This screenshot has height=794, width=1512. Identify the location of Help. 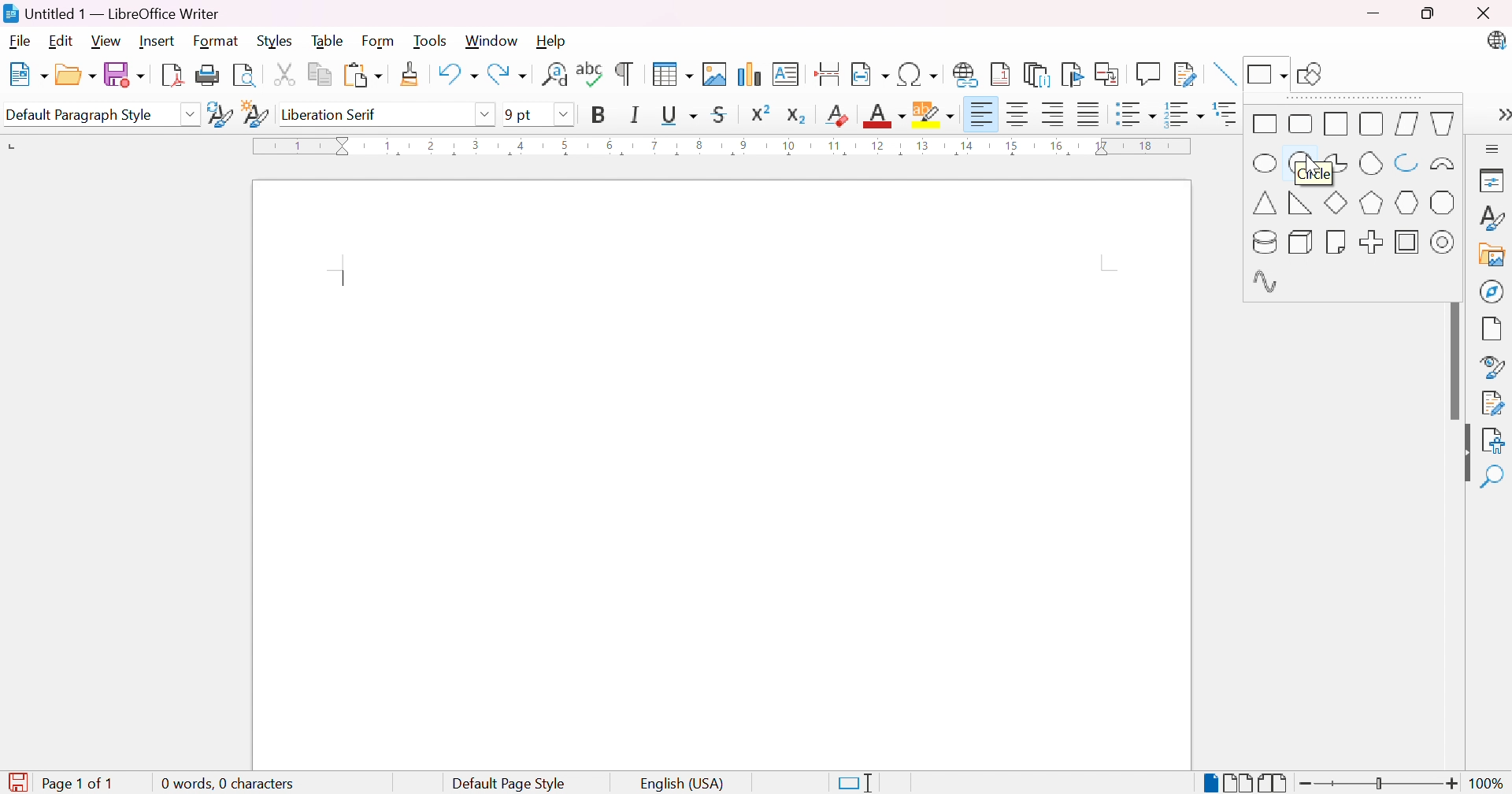
(552, 40).